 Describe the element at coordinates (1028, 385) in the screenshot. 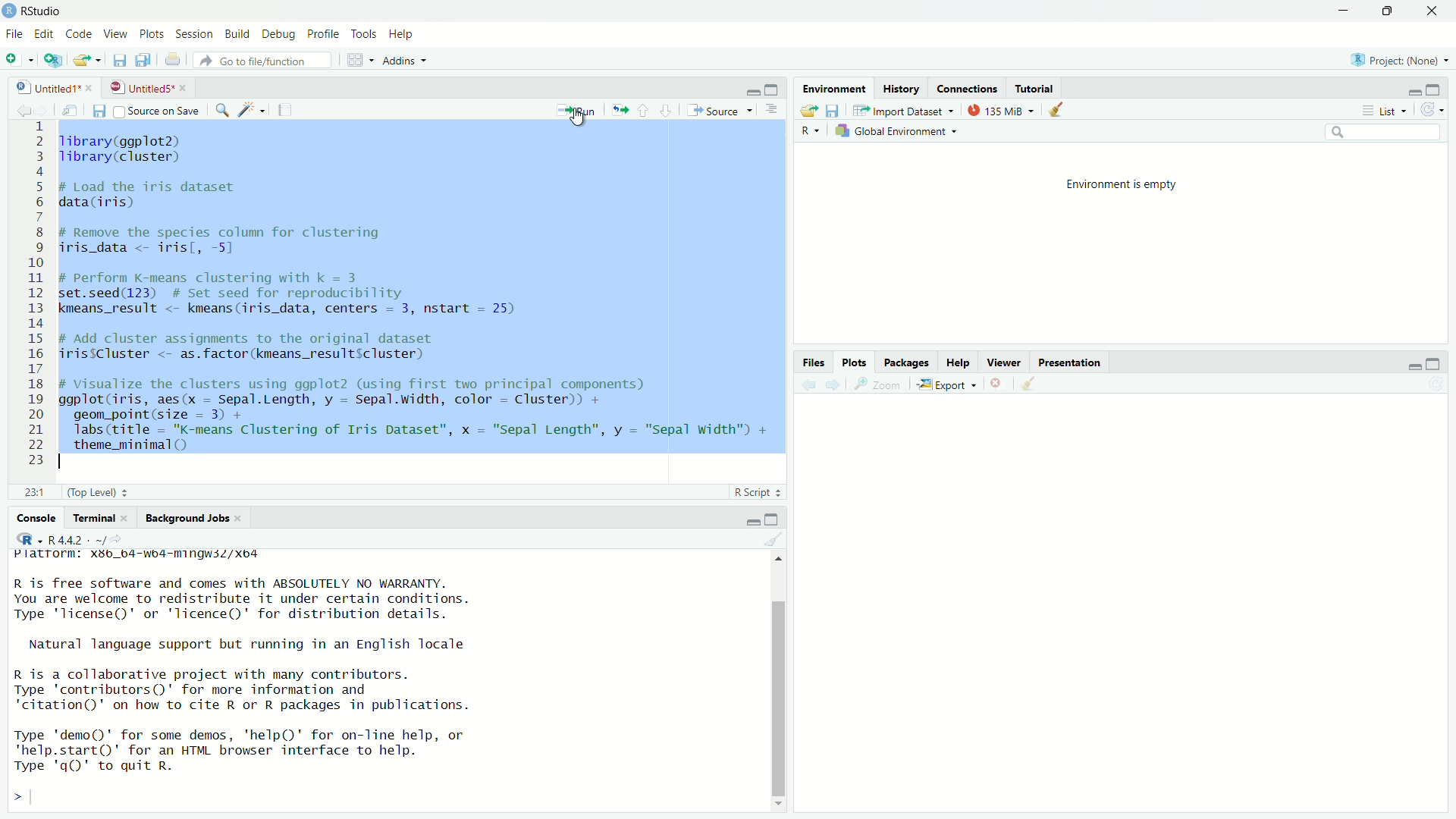

I see `clear all plots` at that location.